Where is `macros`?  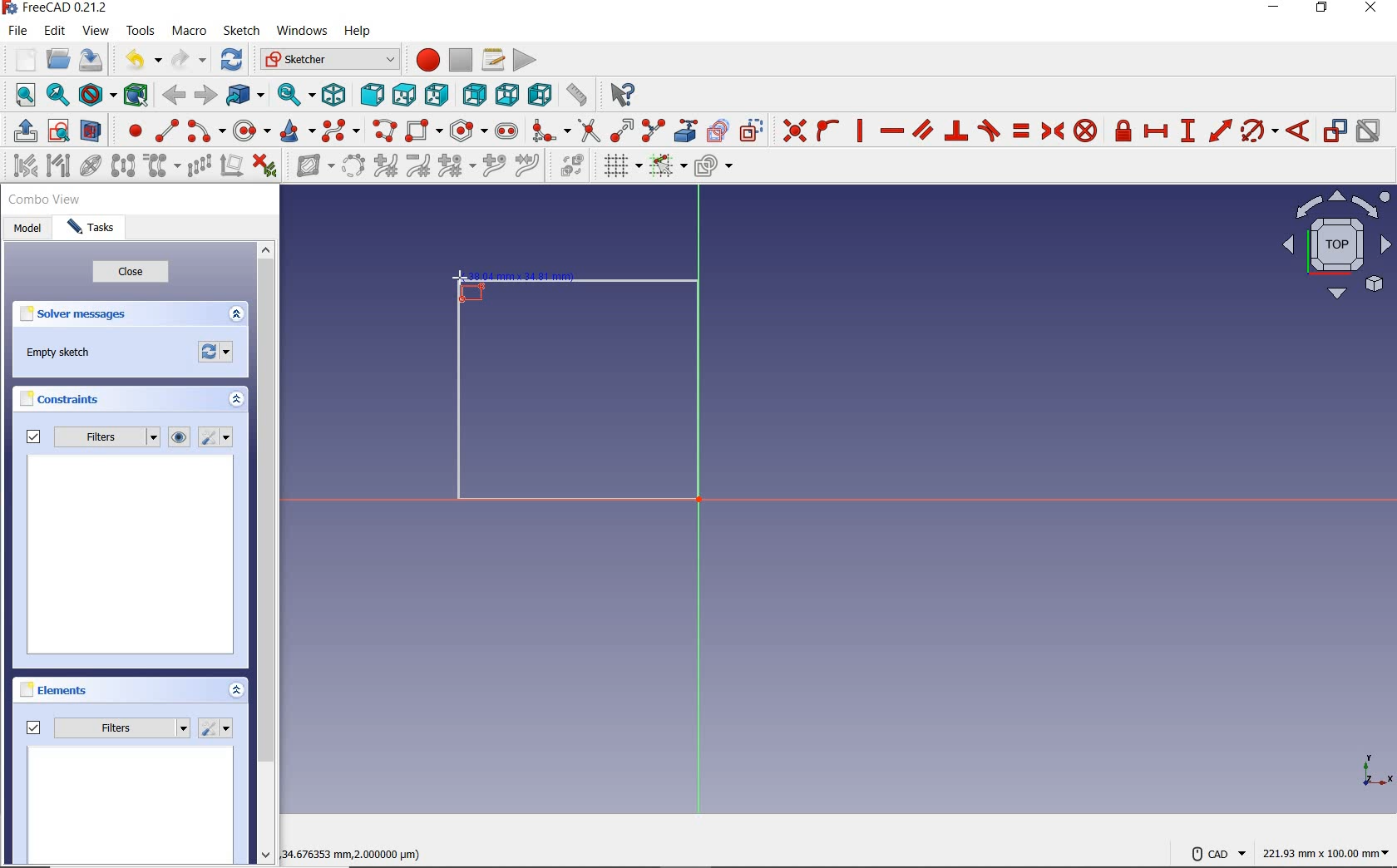 macros is located at coordinates (493, 60).